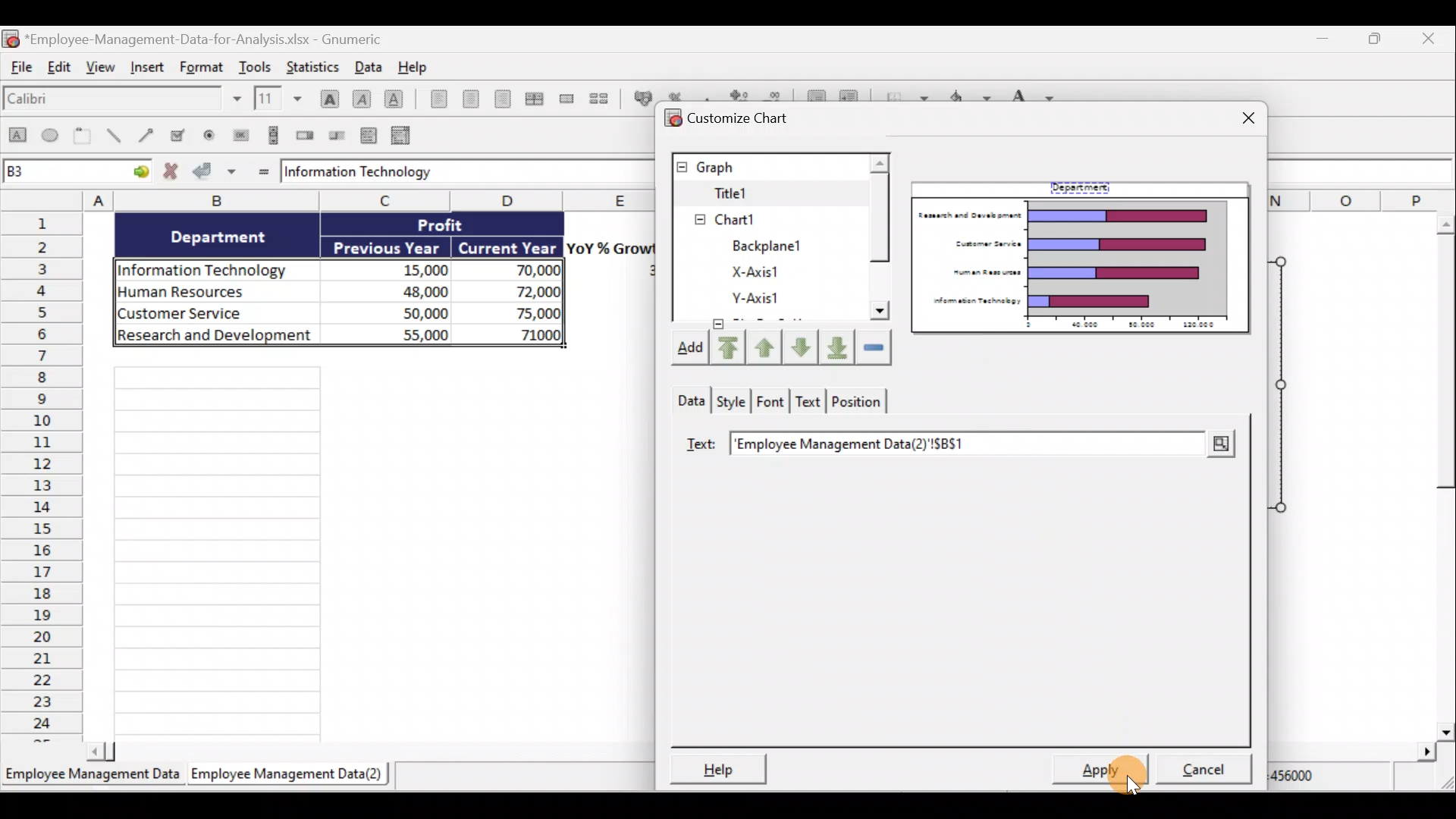 The image size is (1456, 819). Describe the element at coordinates (312, 65) in the screenshot. I see `Statistics` at that location.